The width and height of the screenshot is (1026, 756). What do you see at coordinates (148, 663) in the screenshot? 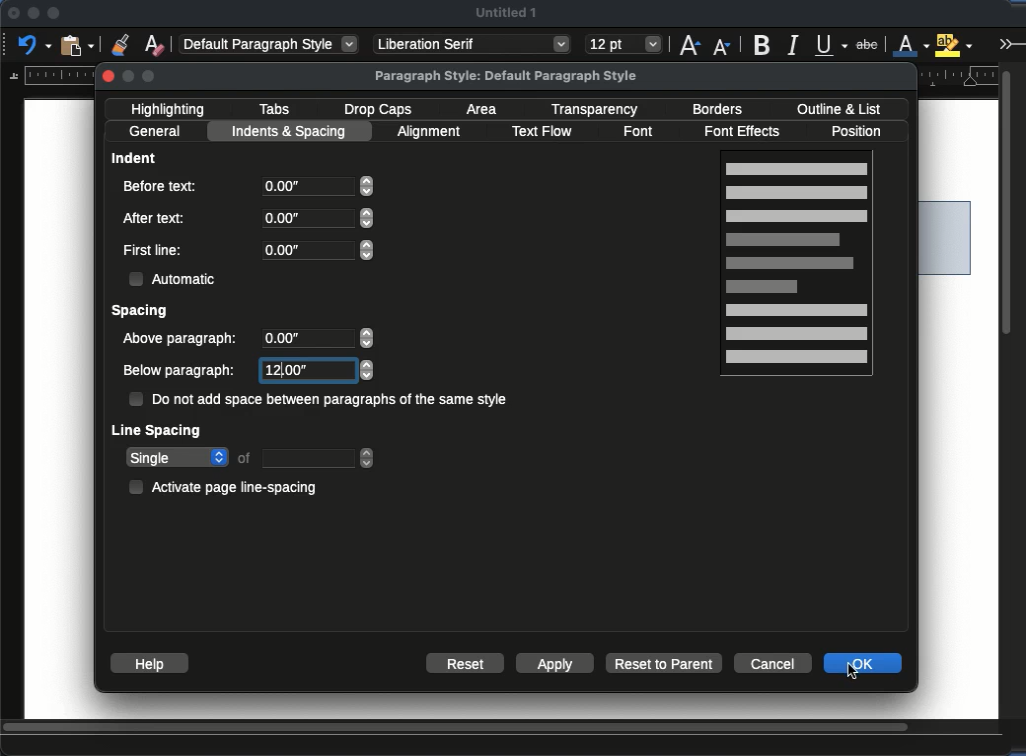
I see `help` at bounding box center [148, 663].